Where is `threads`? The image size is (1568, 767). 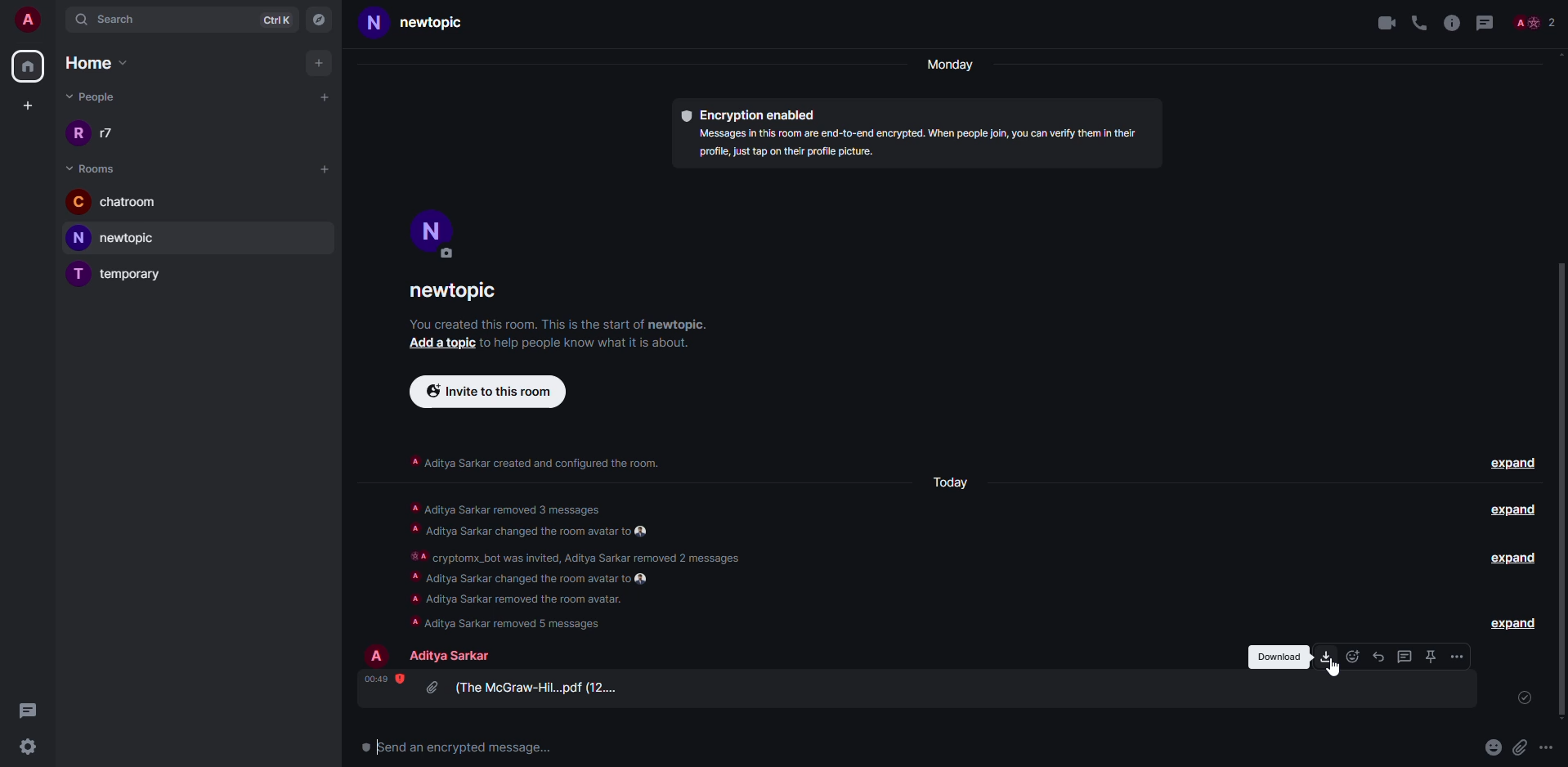 threads is located at coordinates (1488, 22).